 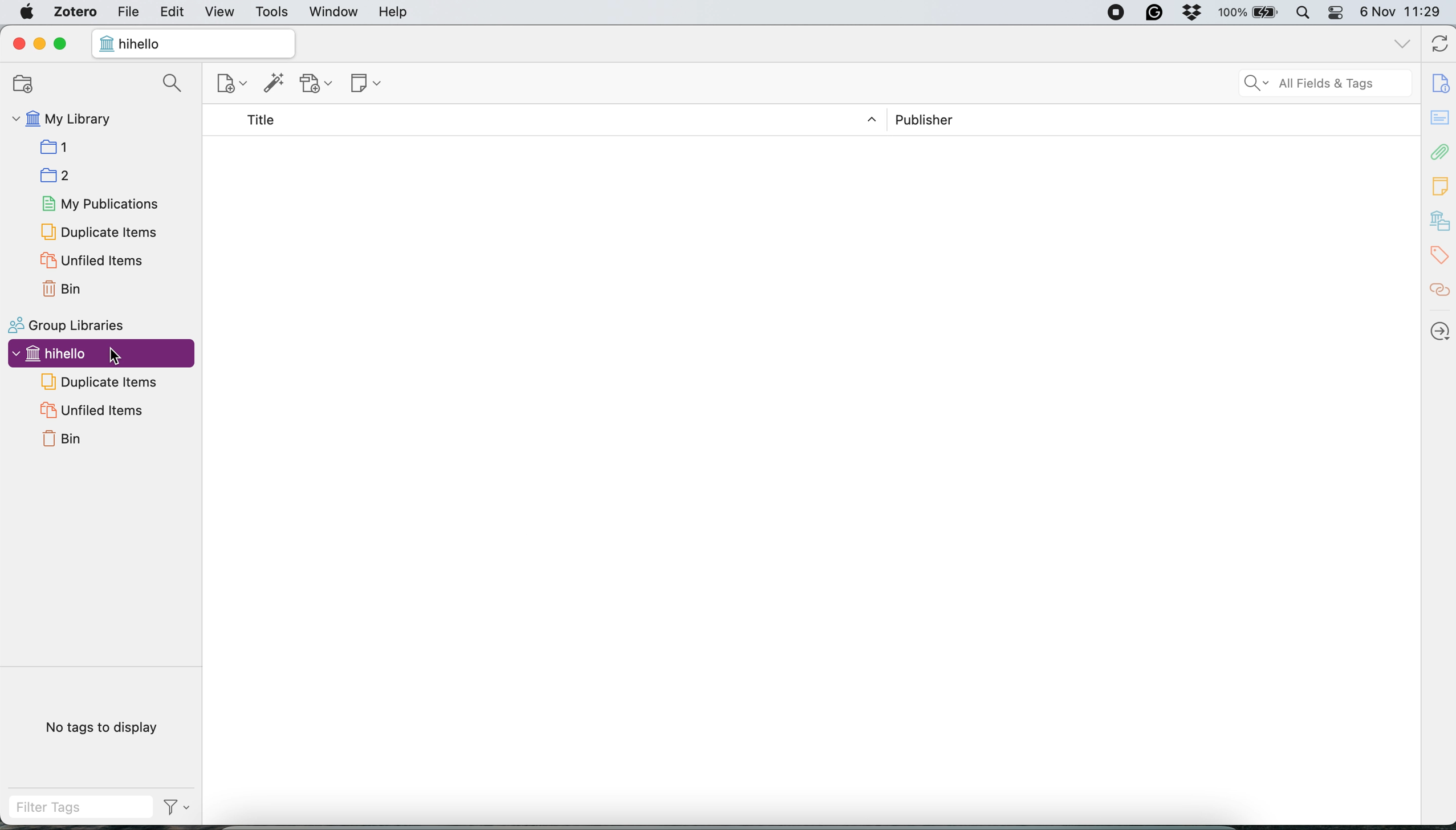 What do you see at coordinates (1439, 220) in the screenshot?
I see `library and collections` at bounding box center [1439, 220].